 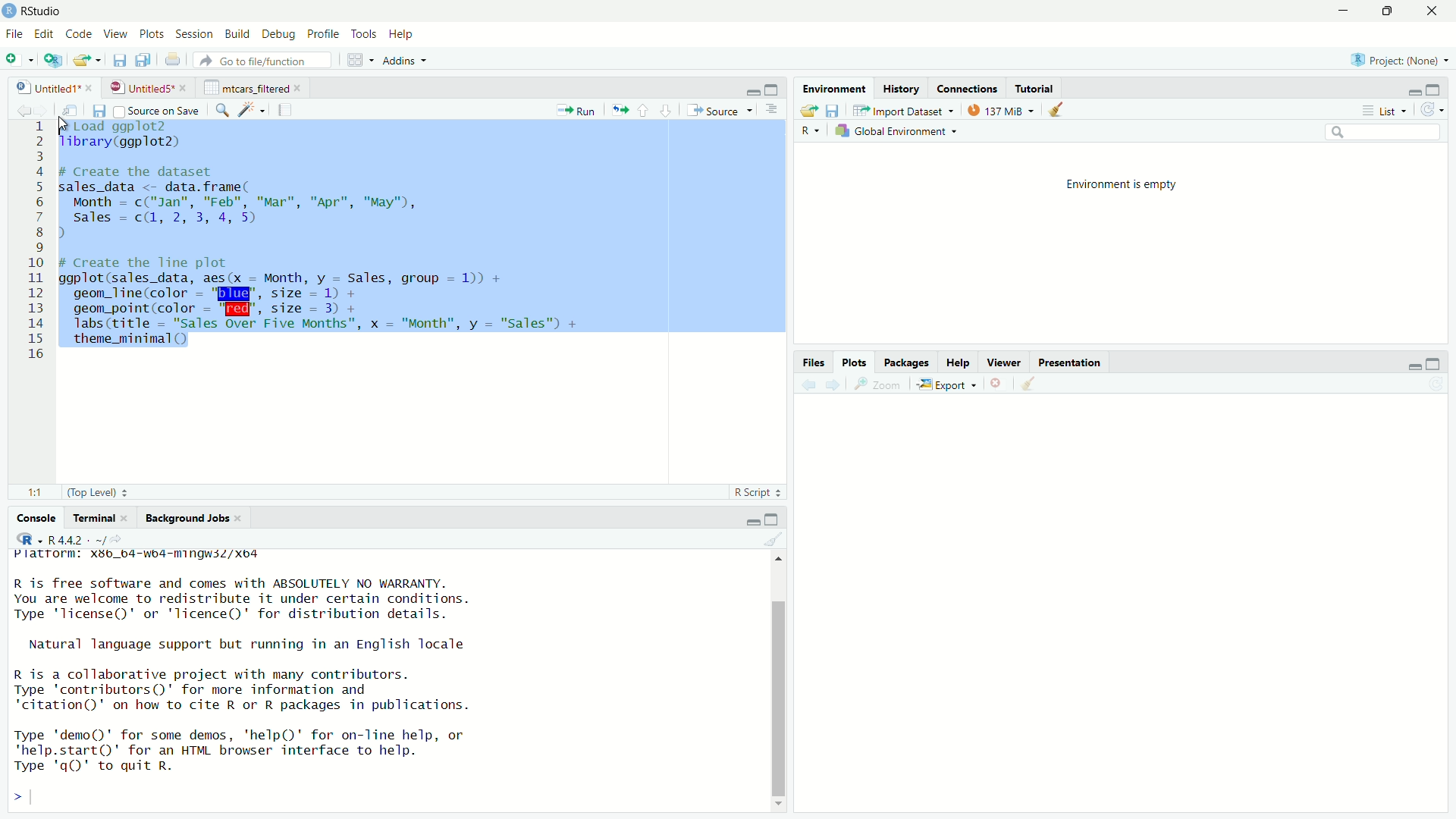 I want to click on Terminal, so click(x=95, y=517).